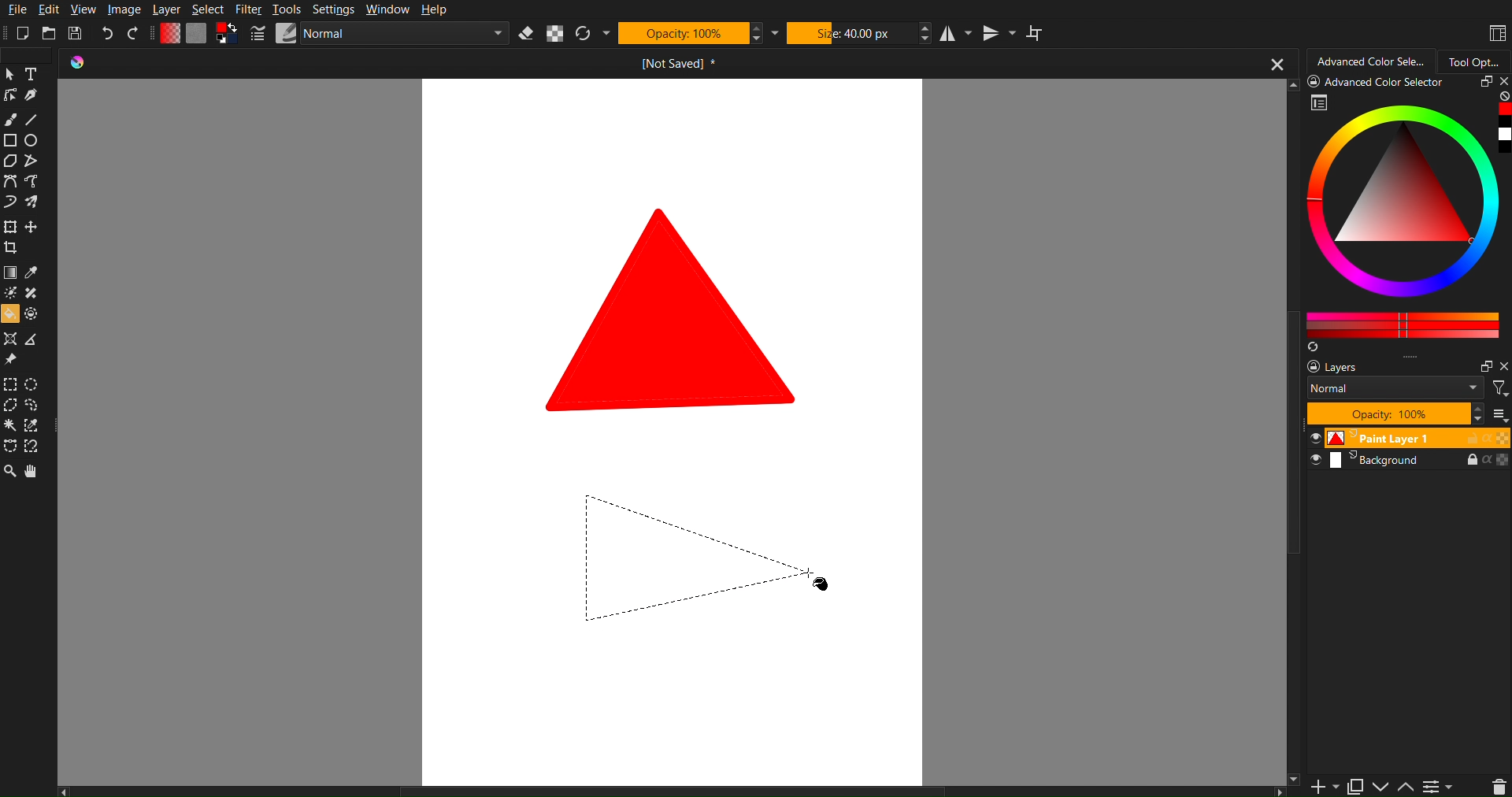 Image resolution: width=1512 pixels, height=797 pixels. I want to click on New, so click(20, 35).